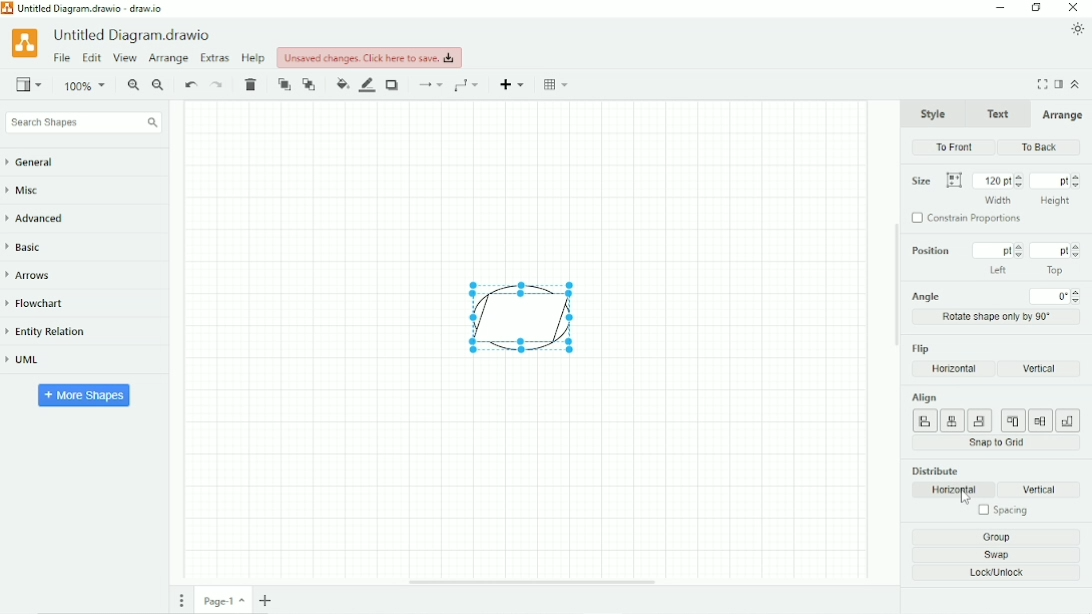 This screenshot has height=614, width=1092. I want to click on cursor, so click(964, 500).